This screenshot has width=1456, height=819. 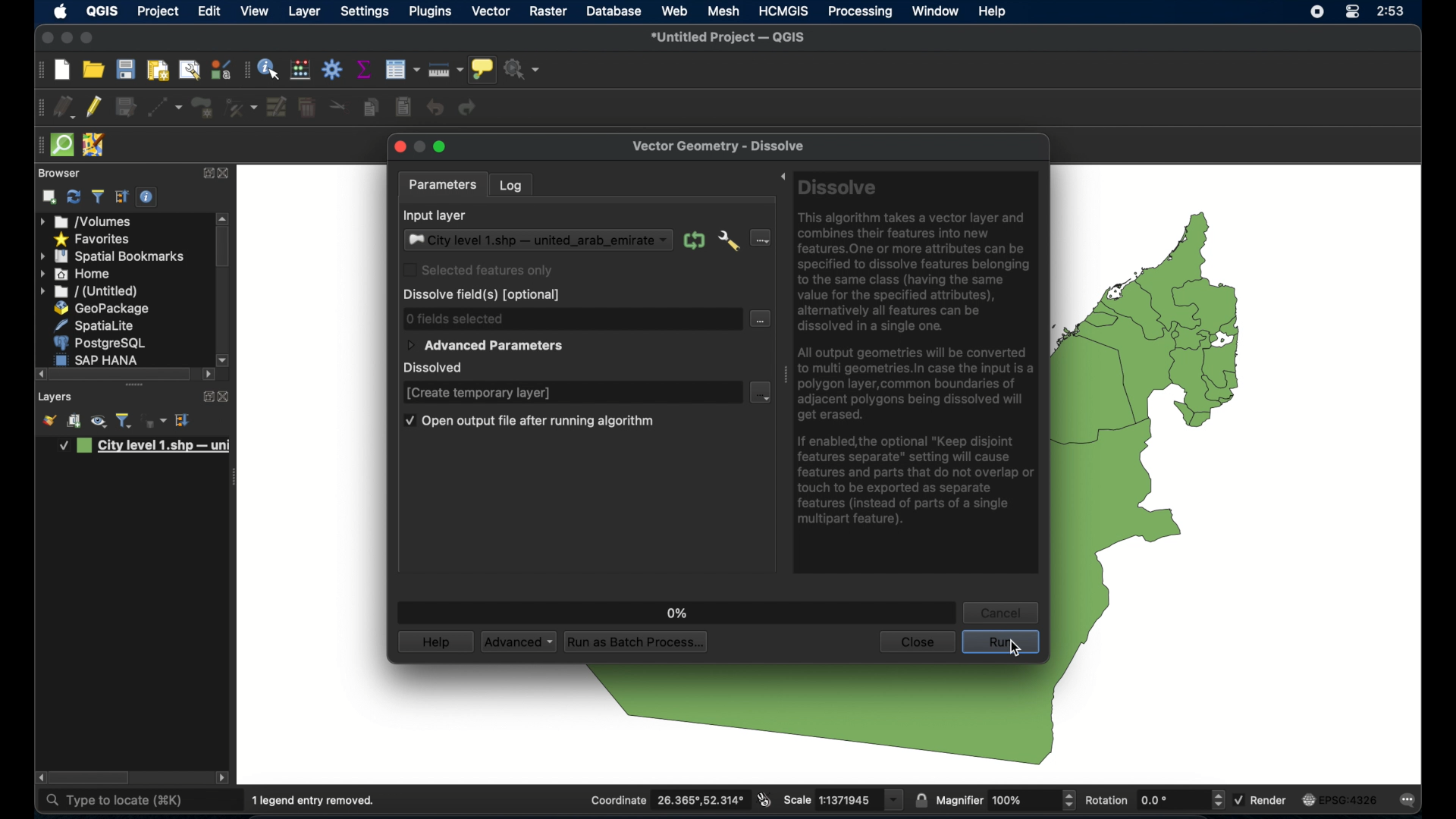 What do you see at coordinates (40, 374) in the screenshot?
I see `scroll right arrow` at bounding box center [40, 374].